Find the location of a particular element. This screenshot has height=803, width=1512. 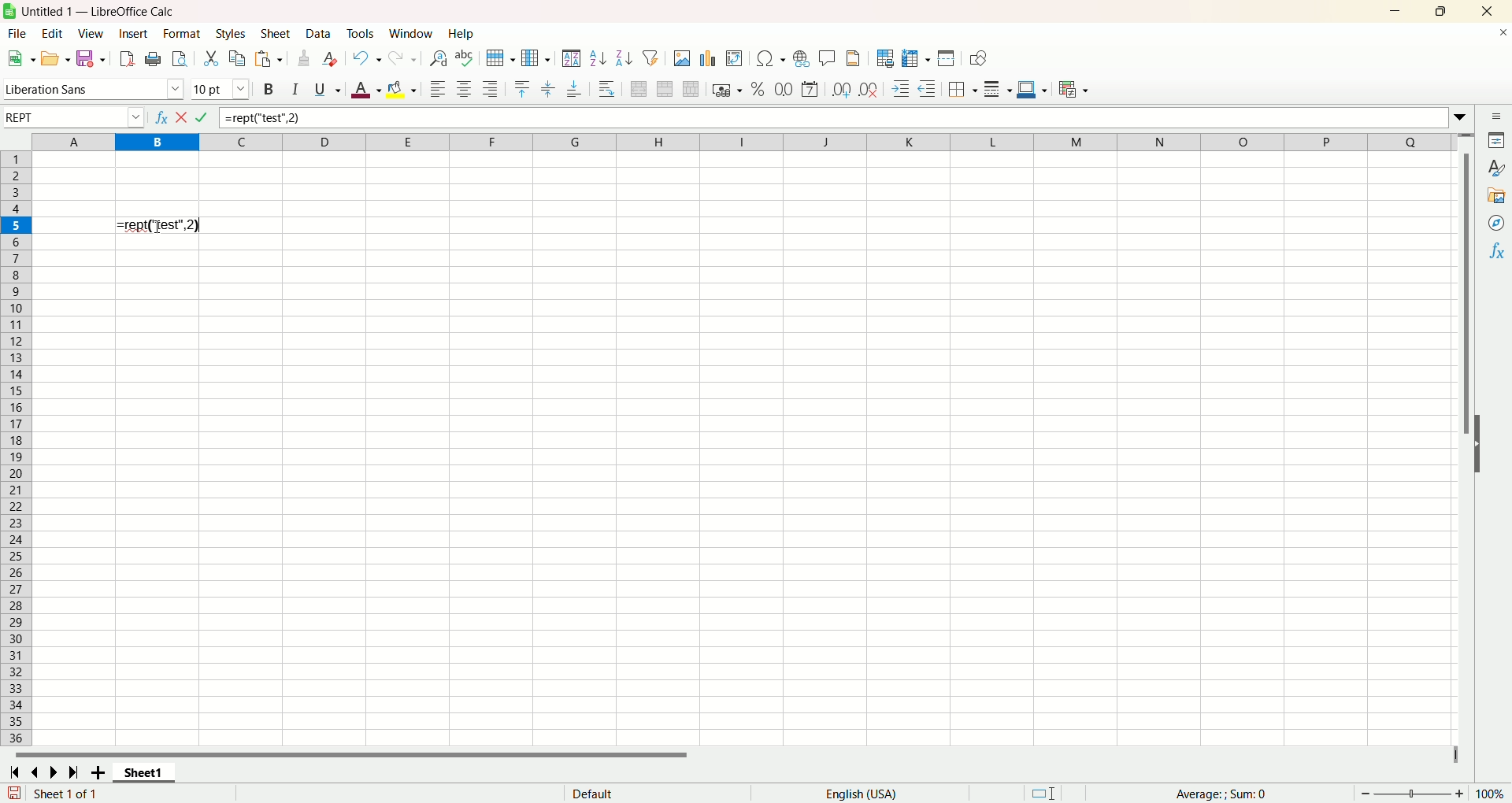

logo is located at coordinates (9, 11).